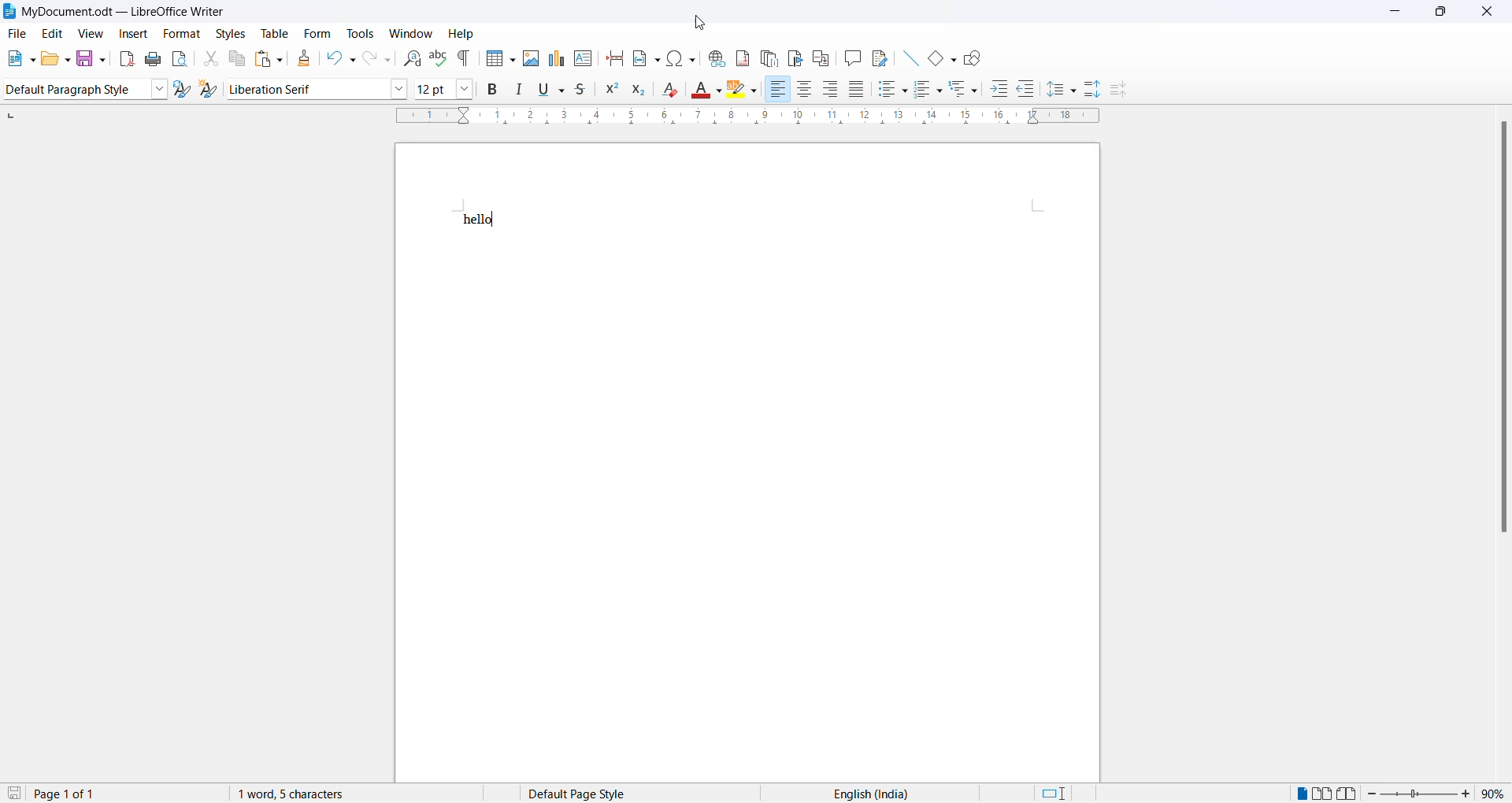 The height and width of the screenshot is (803, 1512). What do you see at coordinates (831, 89) in the screenshot?
I see `align right` at bounding box center [831, 89].